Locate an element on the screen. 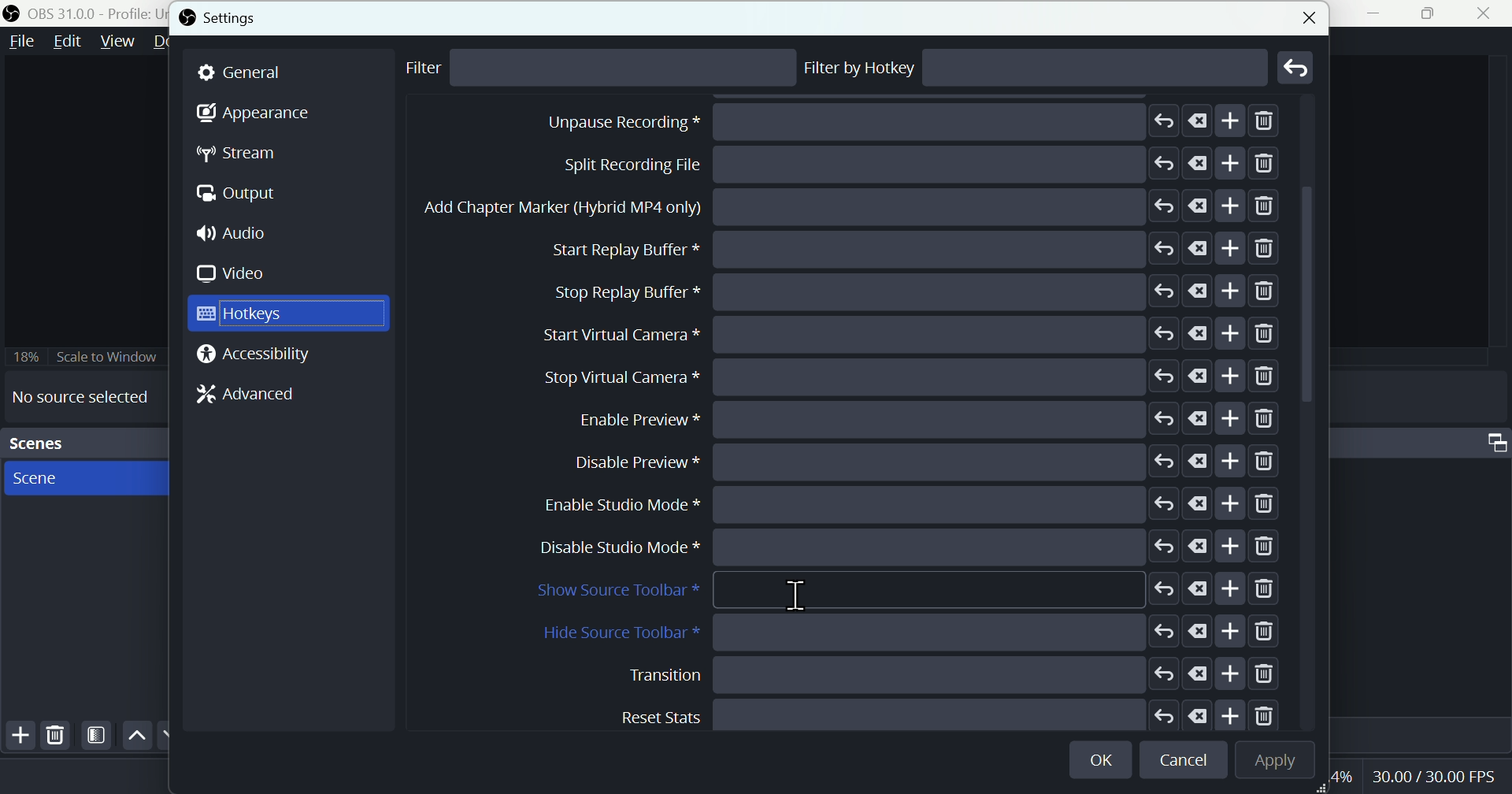 The width and height of the screenshot is (1512, 794). up is located at coordinates (136, 736).